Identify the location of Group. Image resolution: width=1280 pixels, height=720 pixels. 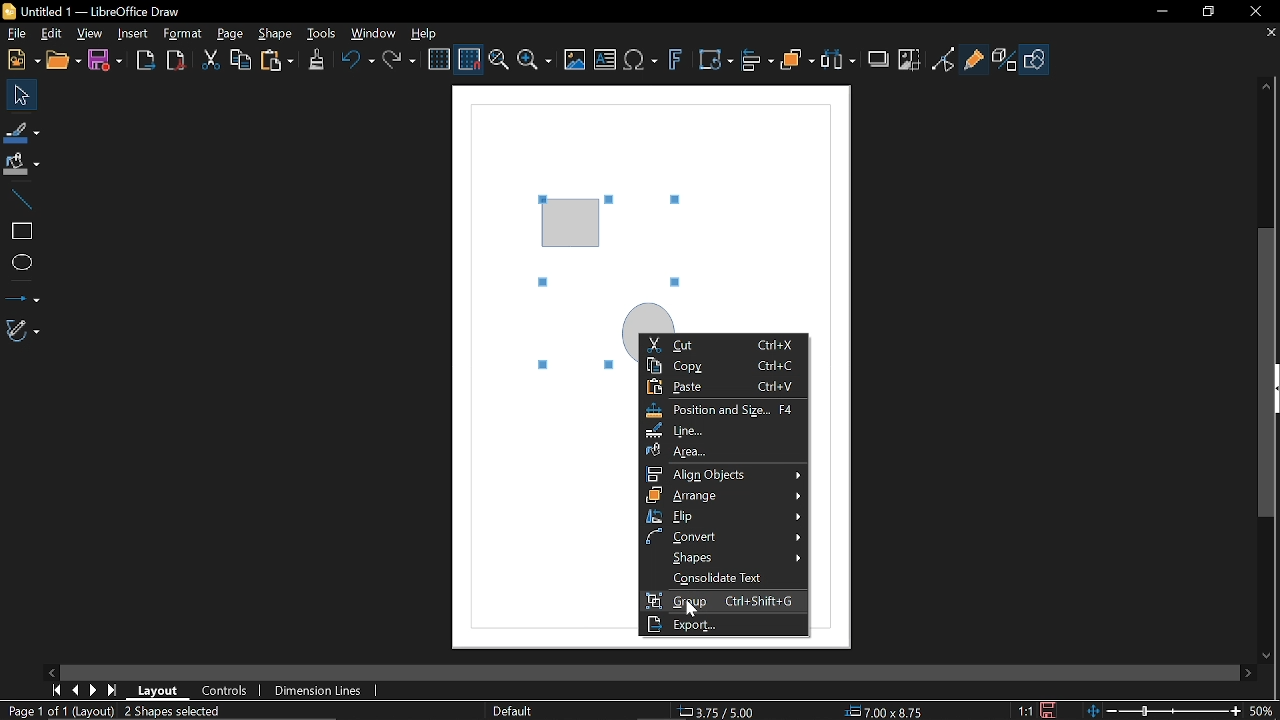
(723, 601).